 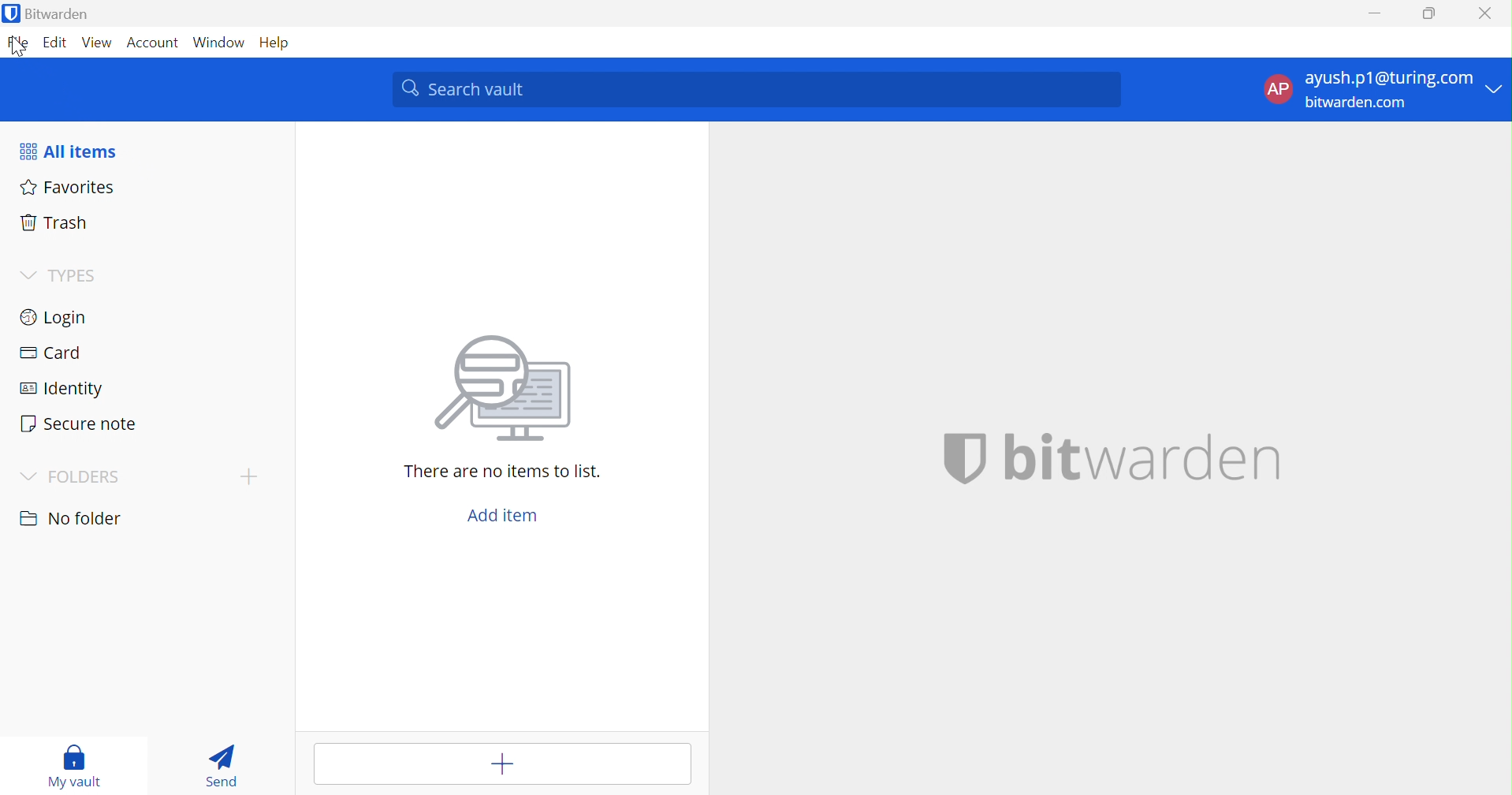 What do you see at coordinates (70, 764) in the screenshot?
I see `My vault` at bounding box center [70, 764].